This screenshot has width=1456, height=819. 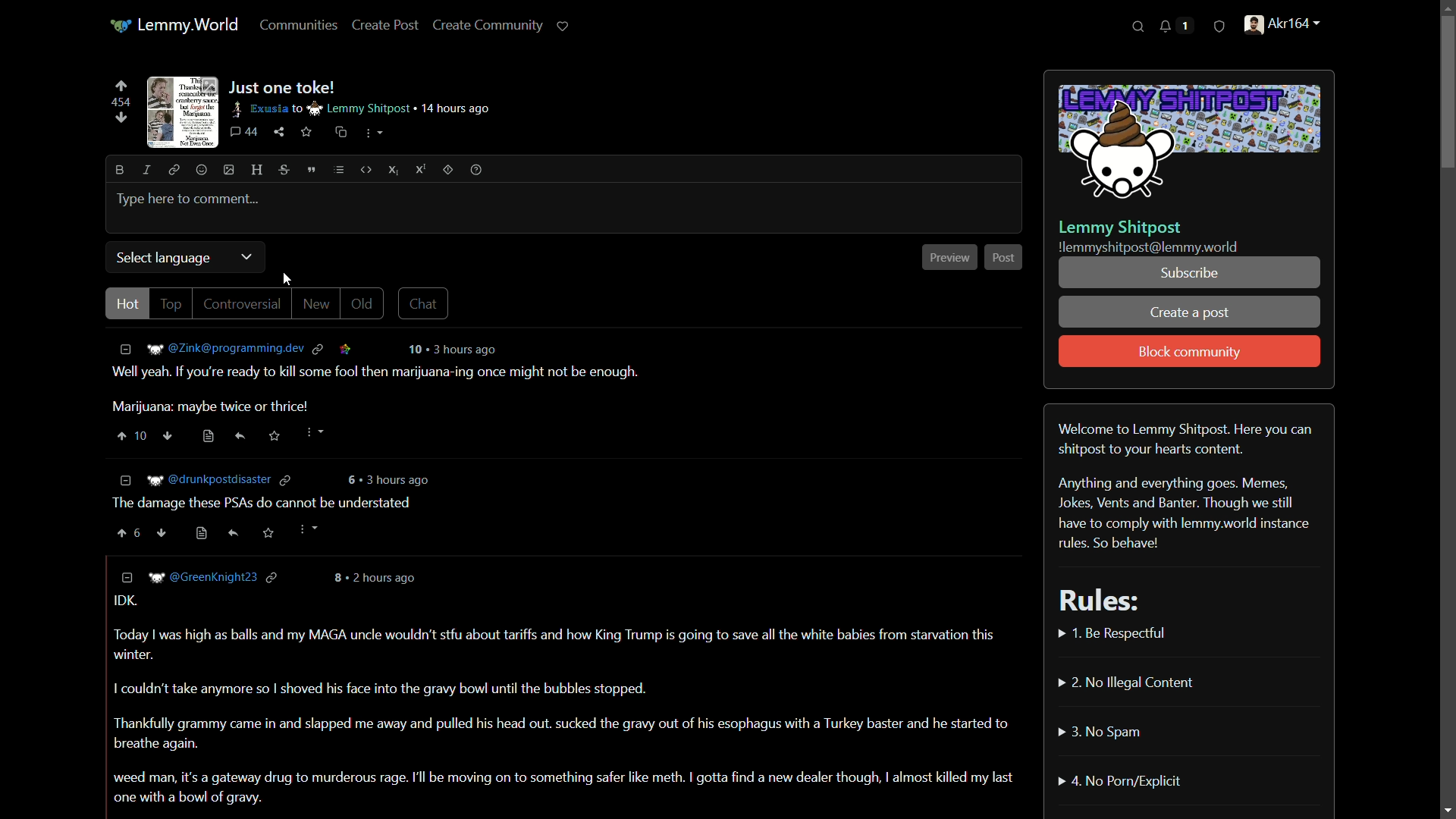 What do you see at coordinates (130, 306) in the screenshot?
I see `hot` at bounding box center [130, 306].